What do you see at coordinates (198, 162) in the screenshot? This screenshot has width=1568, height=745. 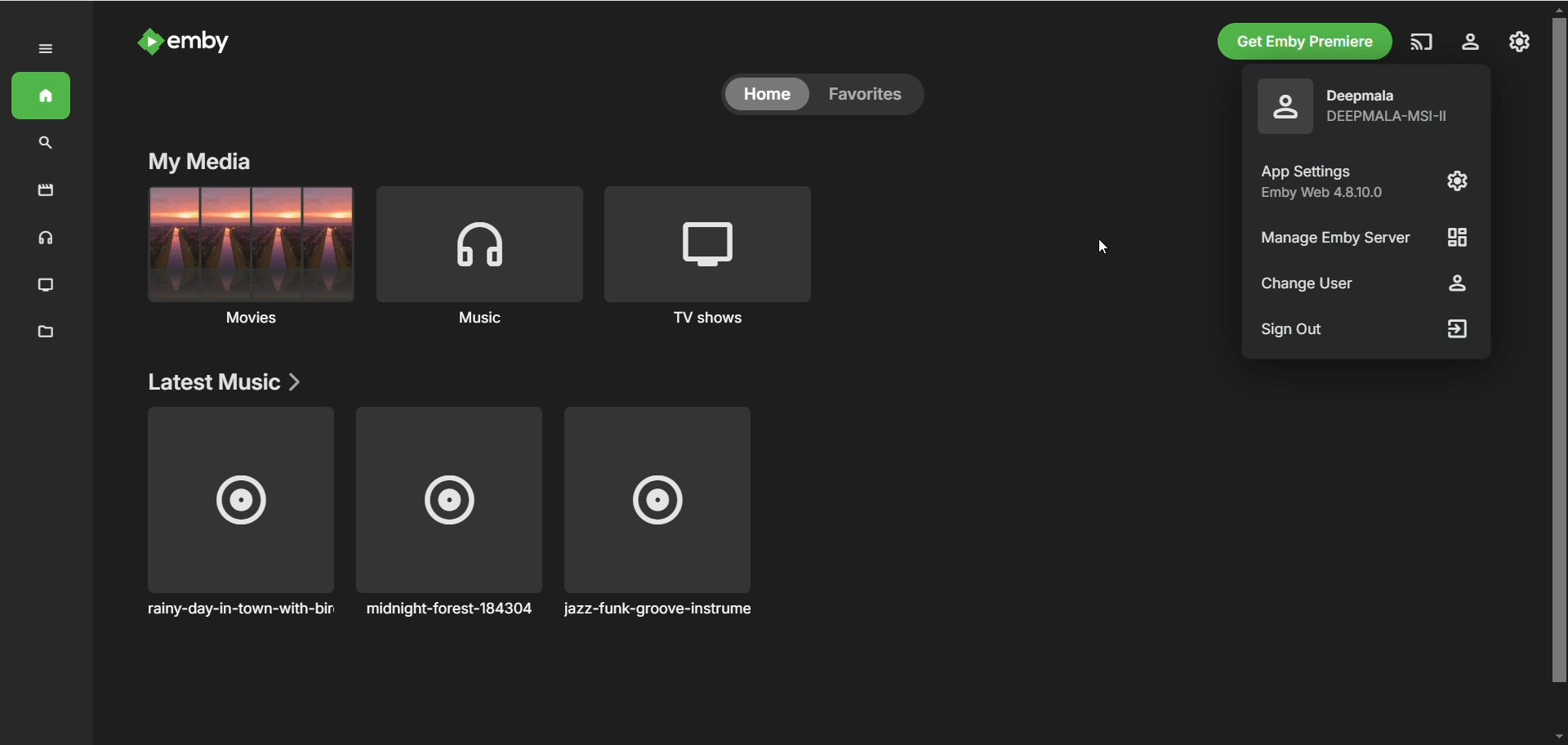 I see `my media` at bounding box center [198, 162].